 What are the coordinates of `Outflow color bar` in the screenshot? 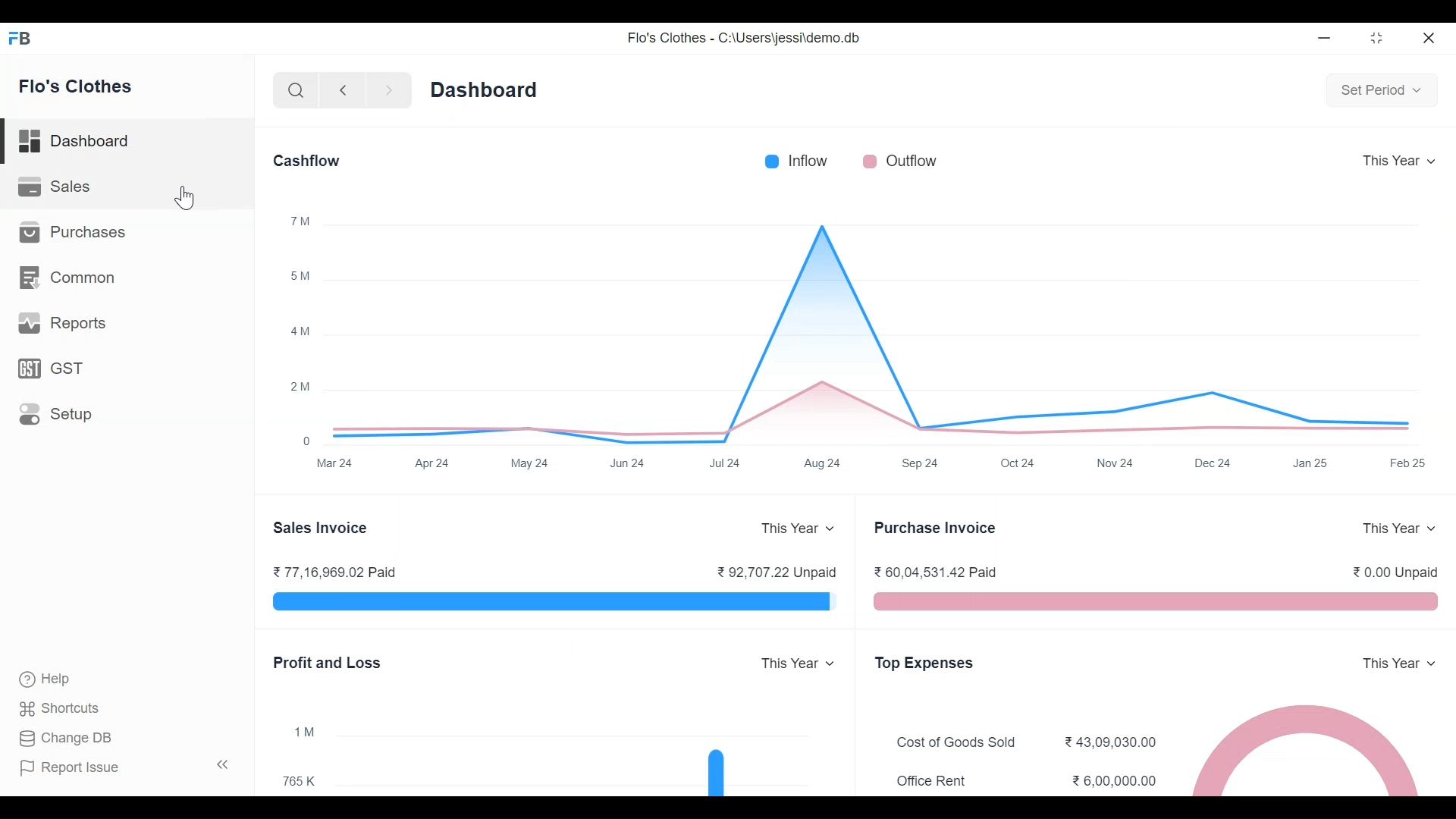 It's located at (869, 160).